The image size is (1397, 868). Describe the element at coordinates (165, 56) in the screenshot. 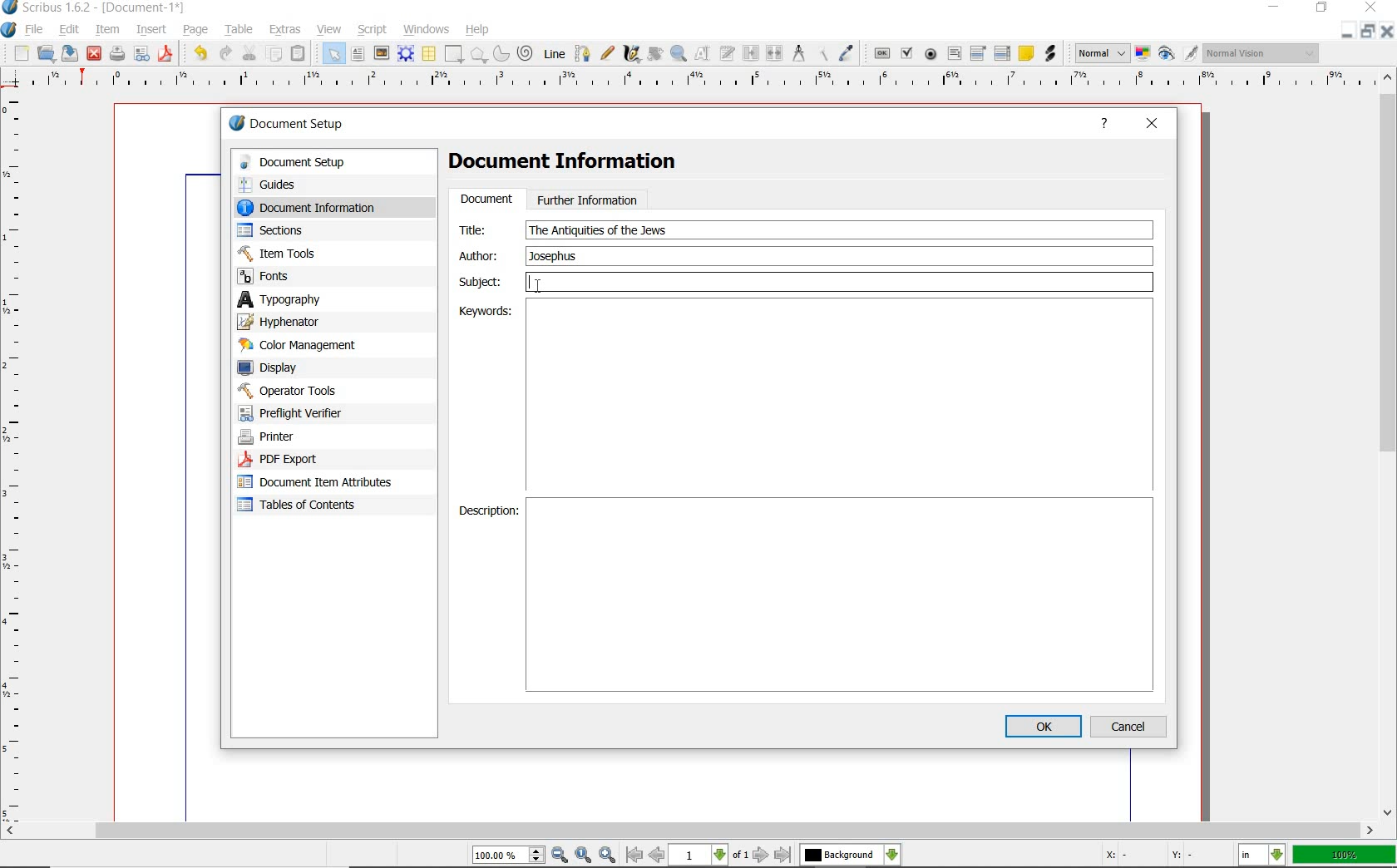

I see `save as pdf` at that location.